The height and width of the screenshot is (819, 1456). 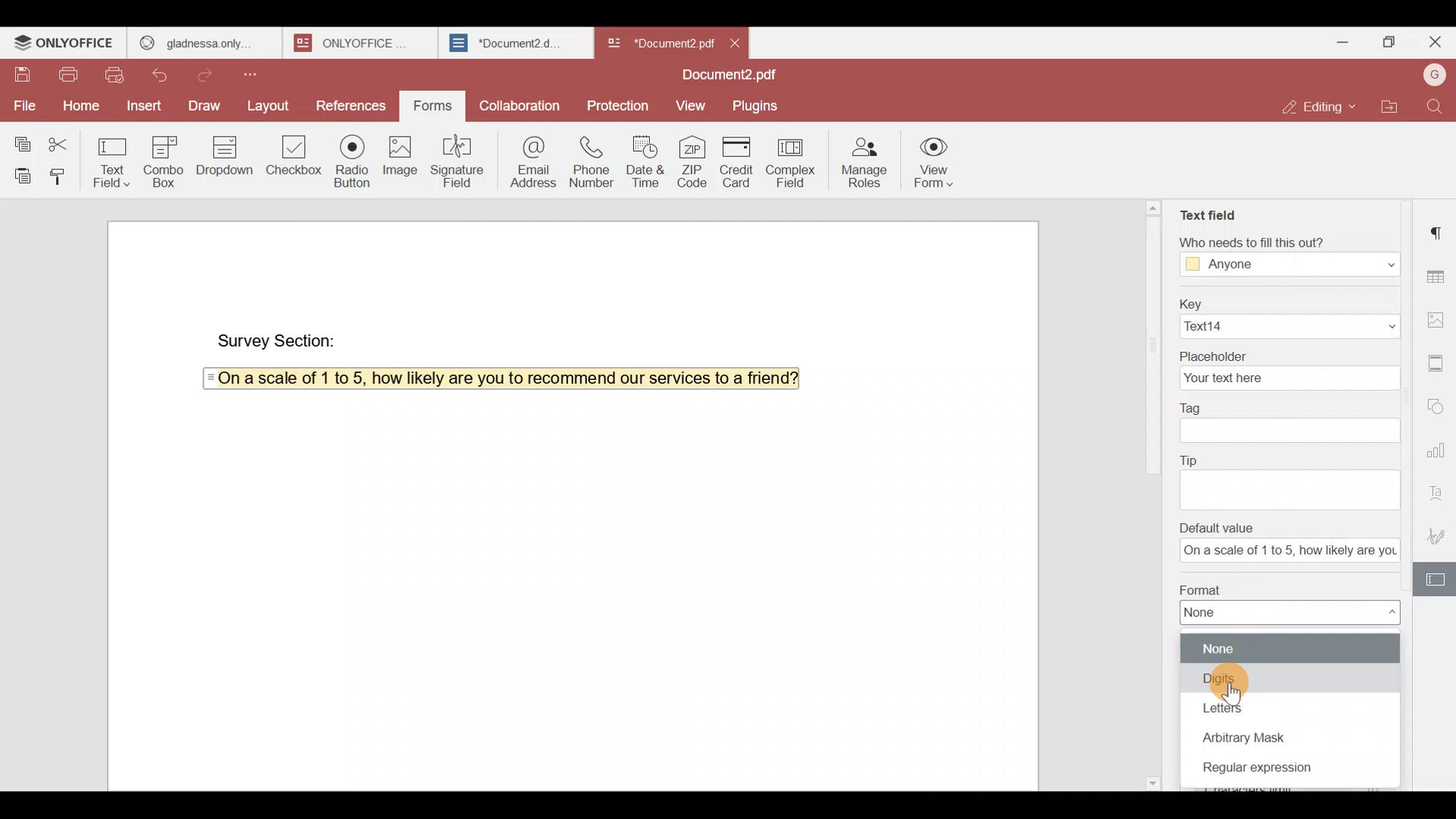 What do you see at coordinates (59, 173) in the screenshot?
I see `Copy style` at bounding box center [59, 173].